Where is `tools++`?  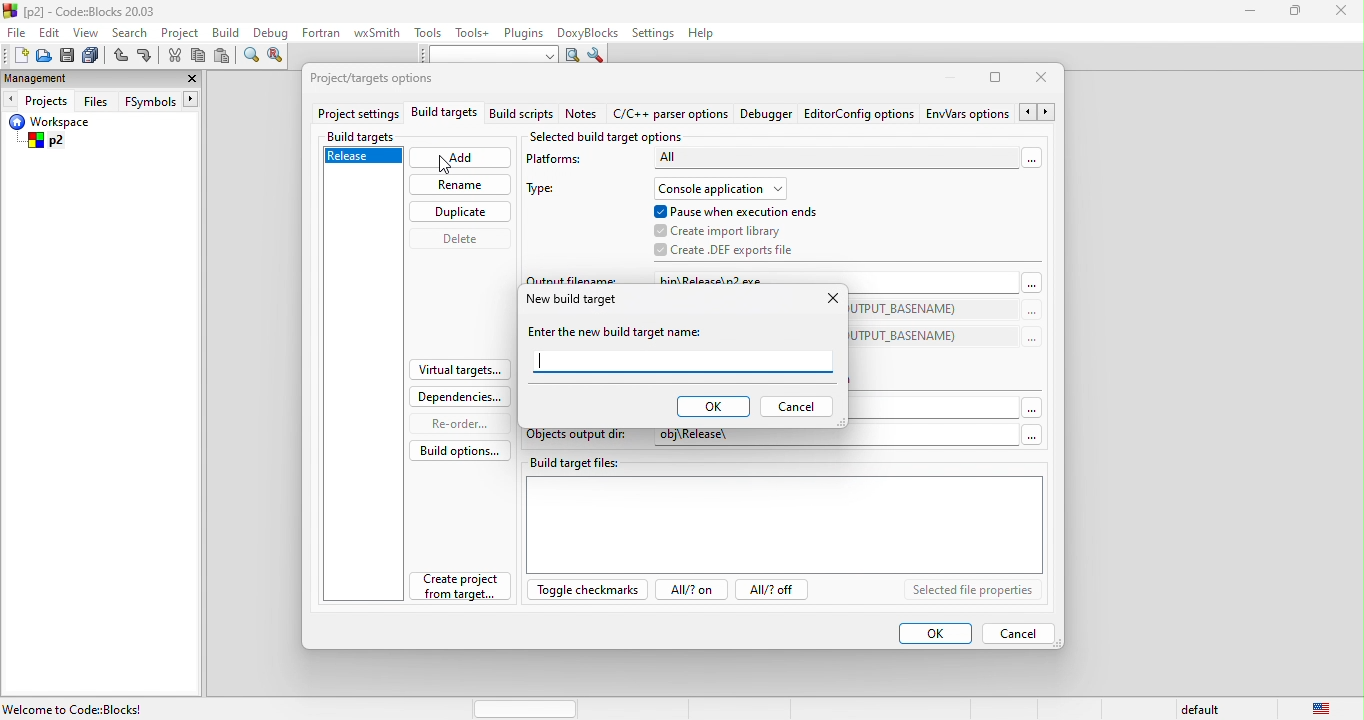 tools++ is located at coordinates (473, 32).